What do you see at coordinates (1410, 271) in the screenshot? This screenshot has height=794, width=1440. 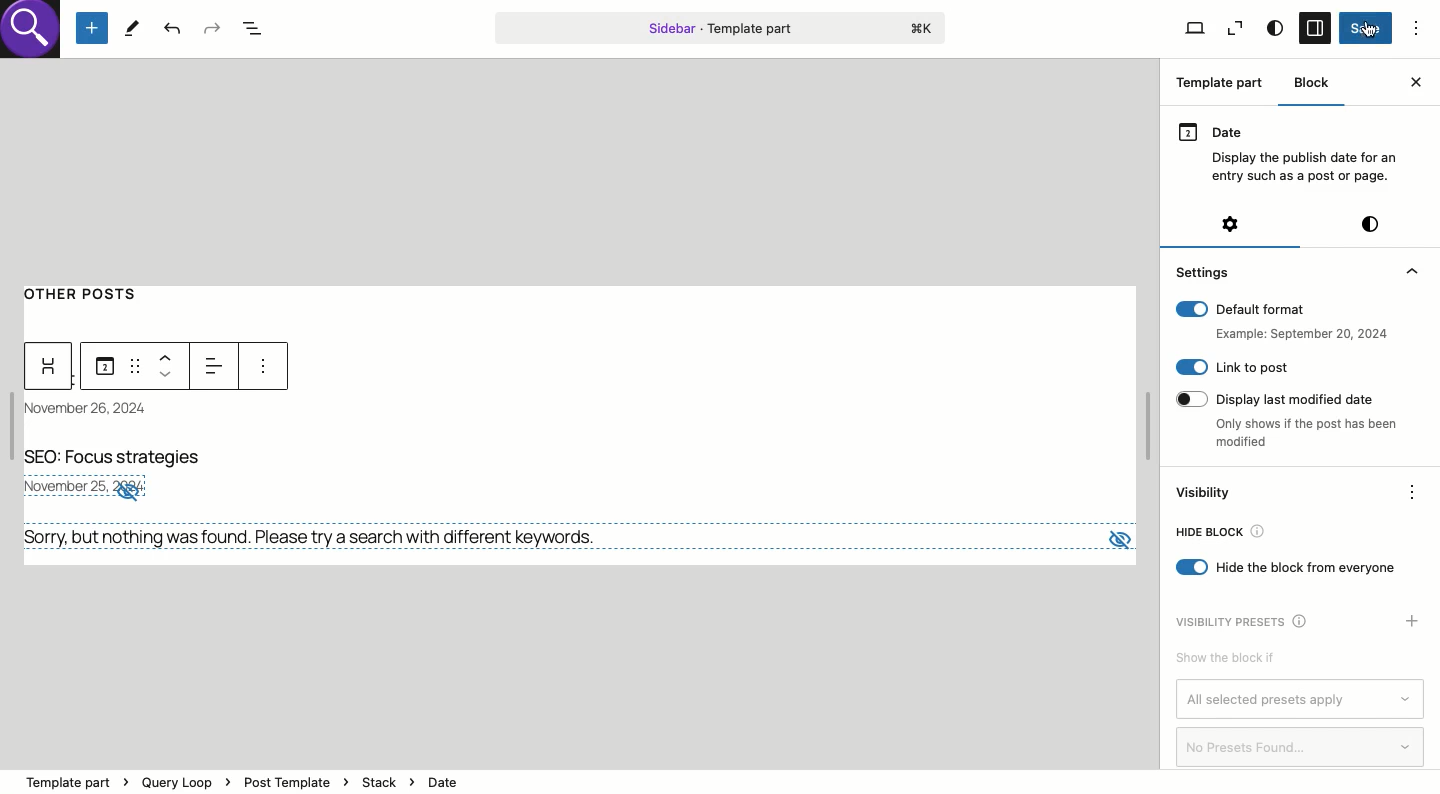 I see `collapse` at bounding box center [1410, 271].